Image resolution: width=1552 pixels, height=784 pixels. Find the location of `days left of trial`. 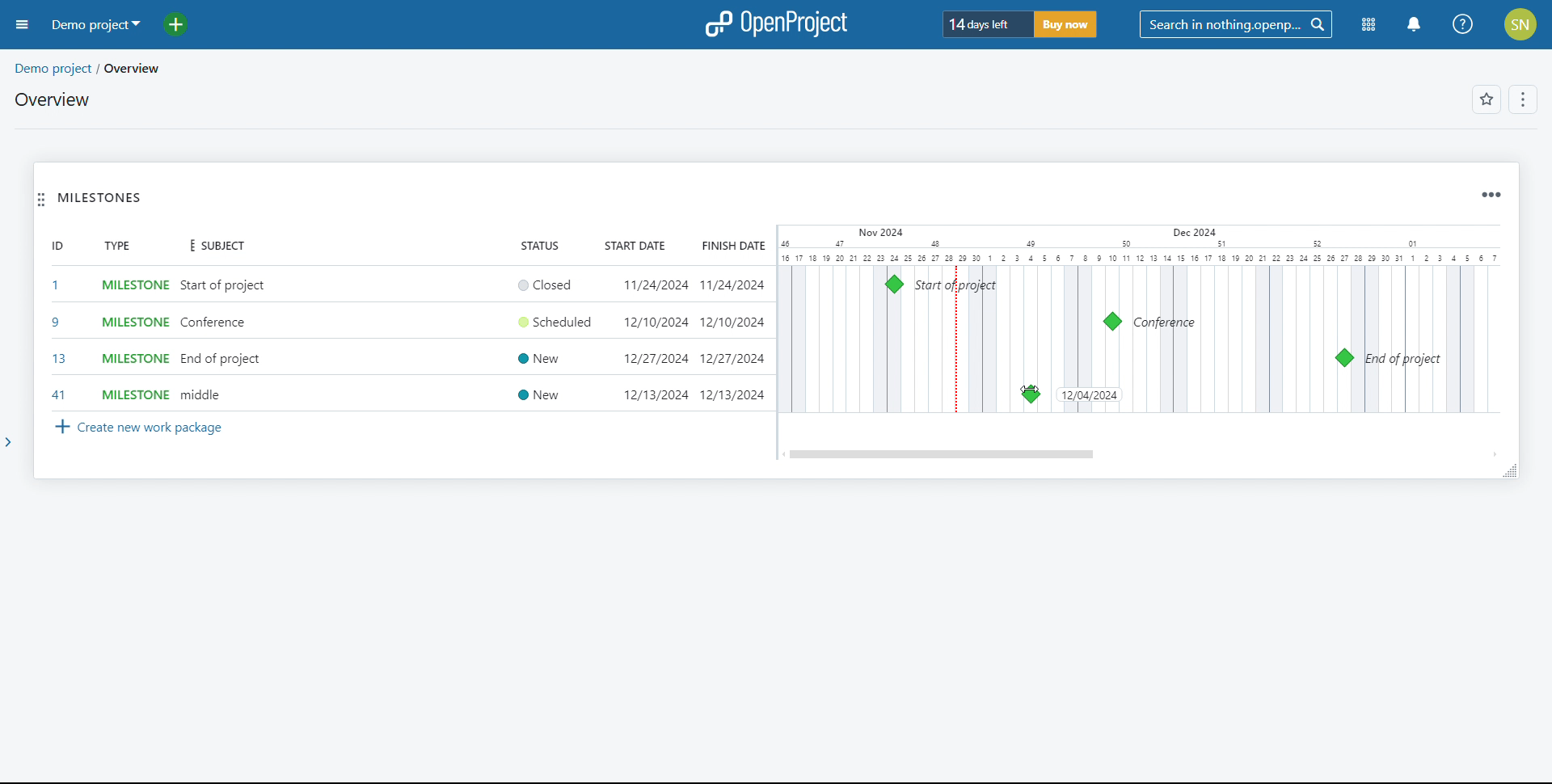

days left of trial is located at coordinates (986, 23).